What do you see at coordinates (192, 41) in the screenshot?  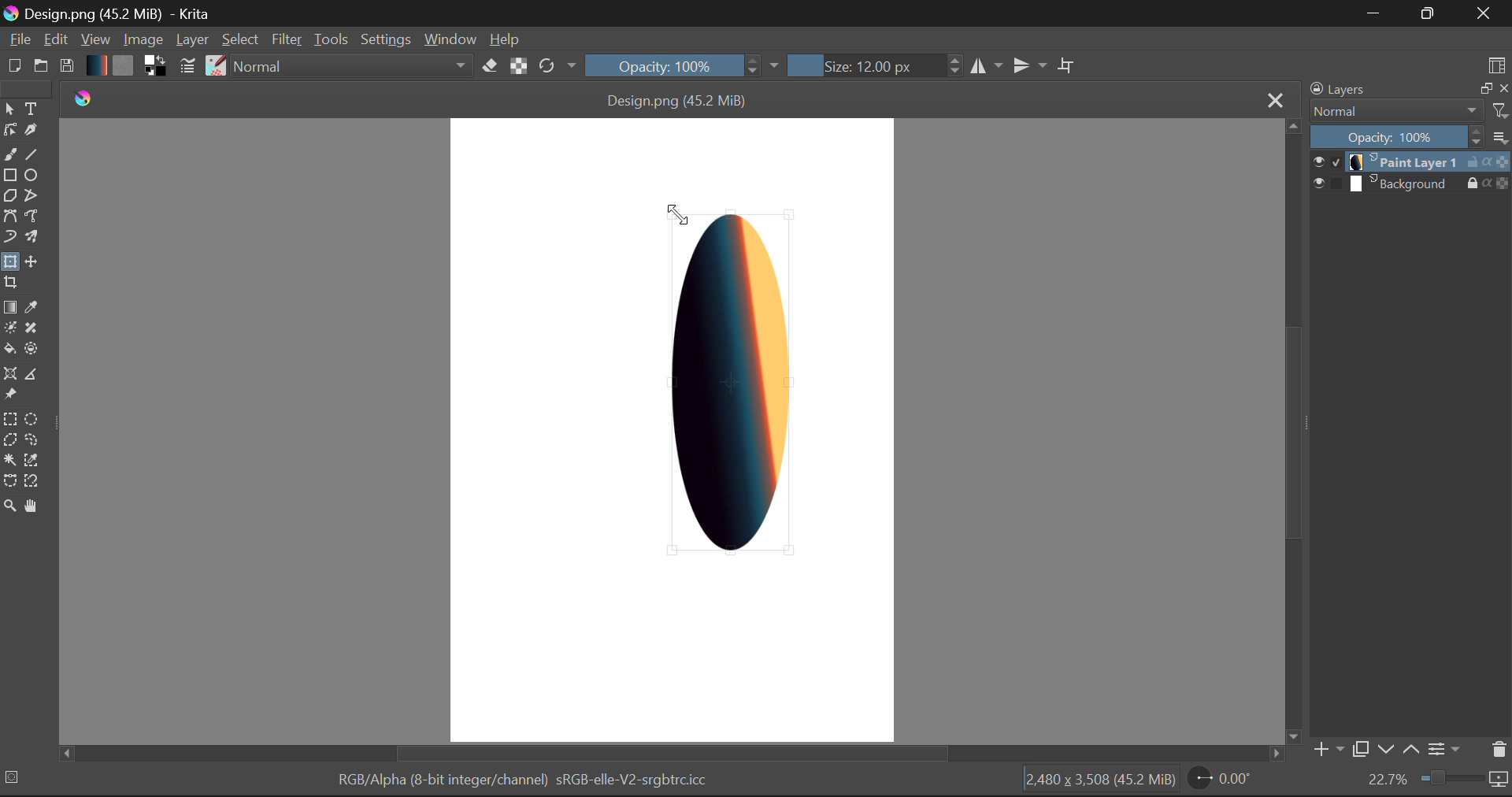 I see `Layer` at bounding box center [192, 41].